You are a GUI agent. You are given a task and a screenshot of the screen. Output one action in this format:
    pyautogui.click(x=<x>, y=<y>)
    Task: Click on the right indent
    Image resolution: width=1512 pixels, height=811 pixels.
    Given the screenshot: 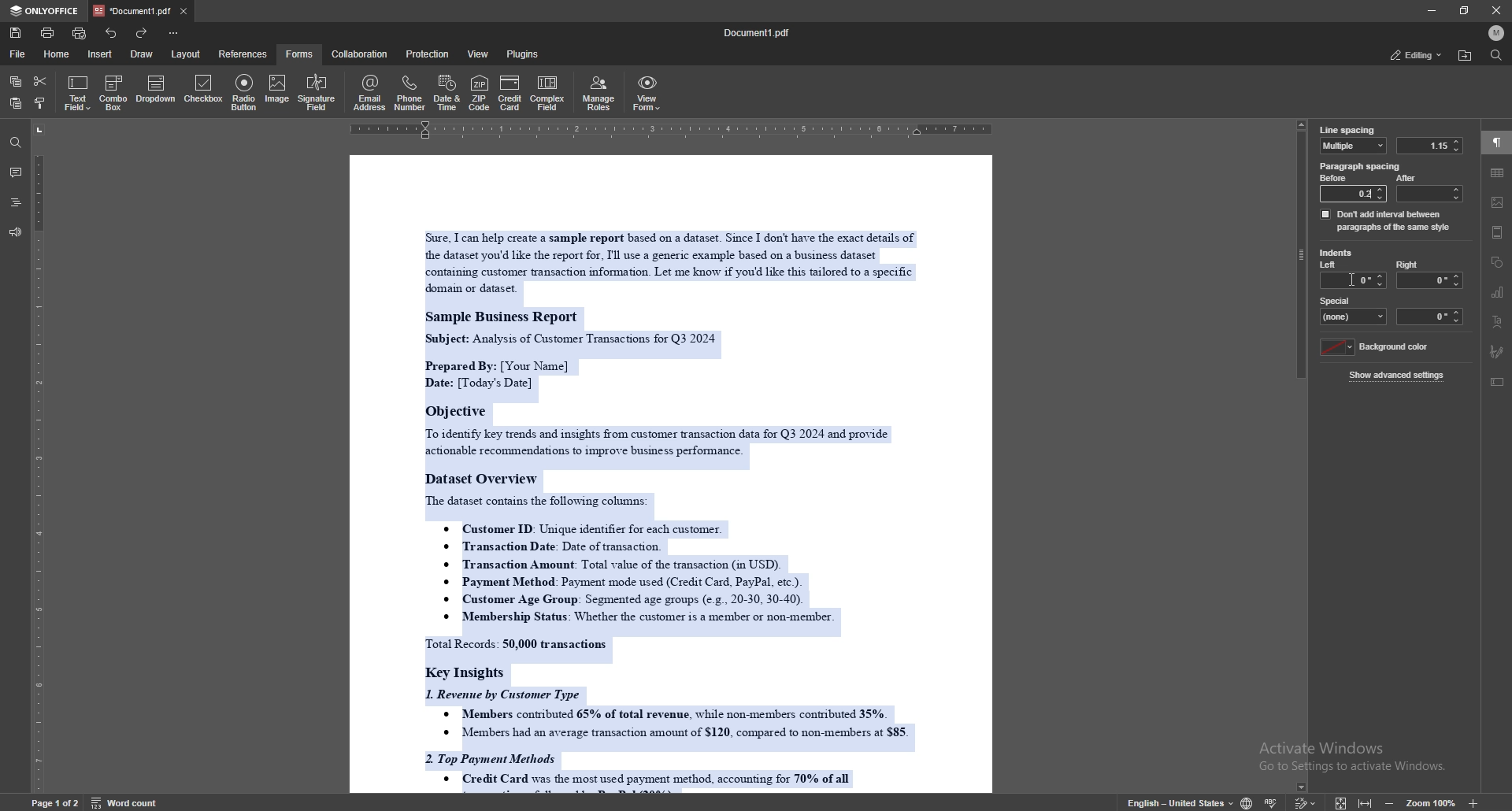 What is the action you would take?
    pyautogui.click(x=1429, y=274)
    